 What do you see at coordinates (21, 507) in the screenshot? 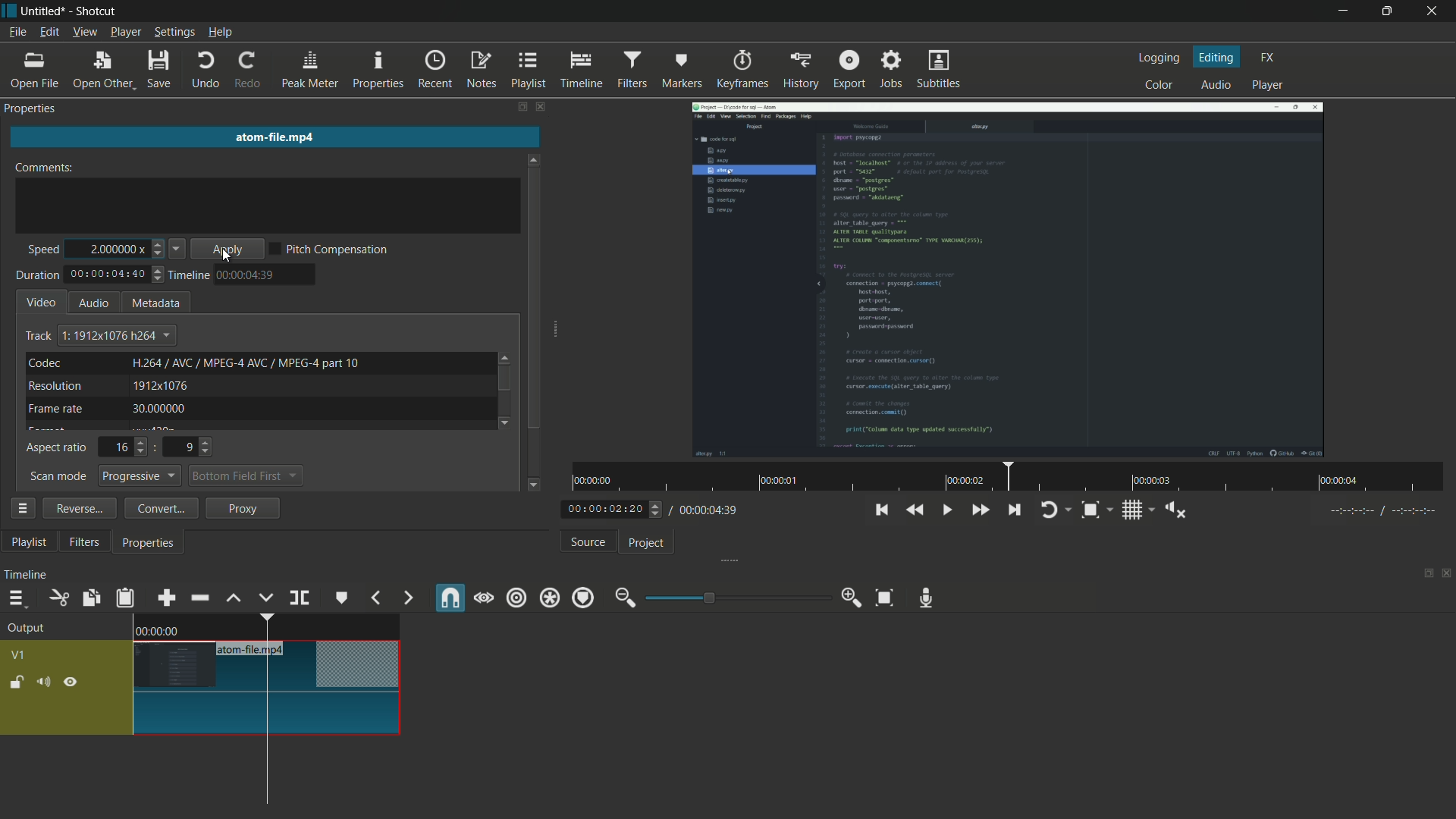
I see `properties menu` at bounding box center [21, 507].